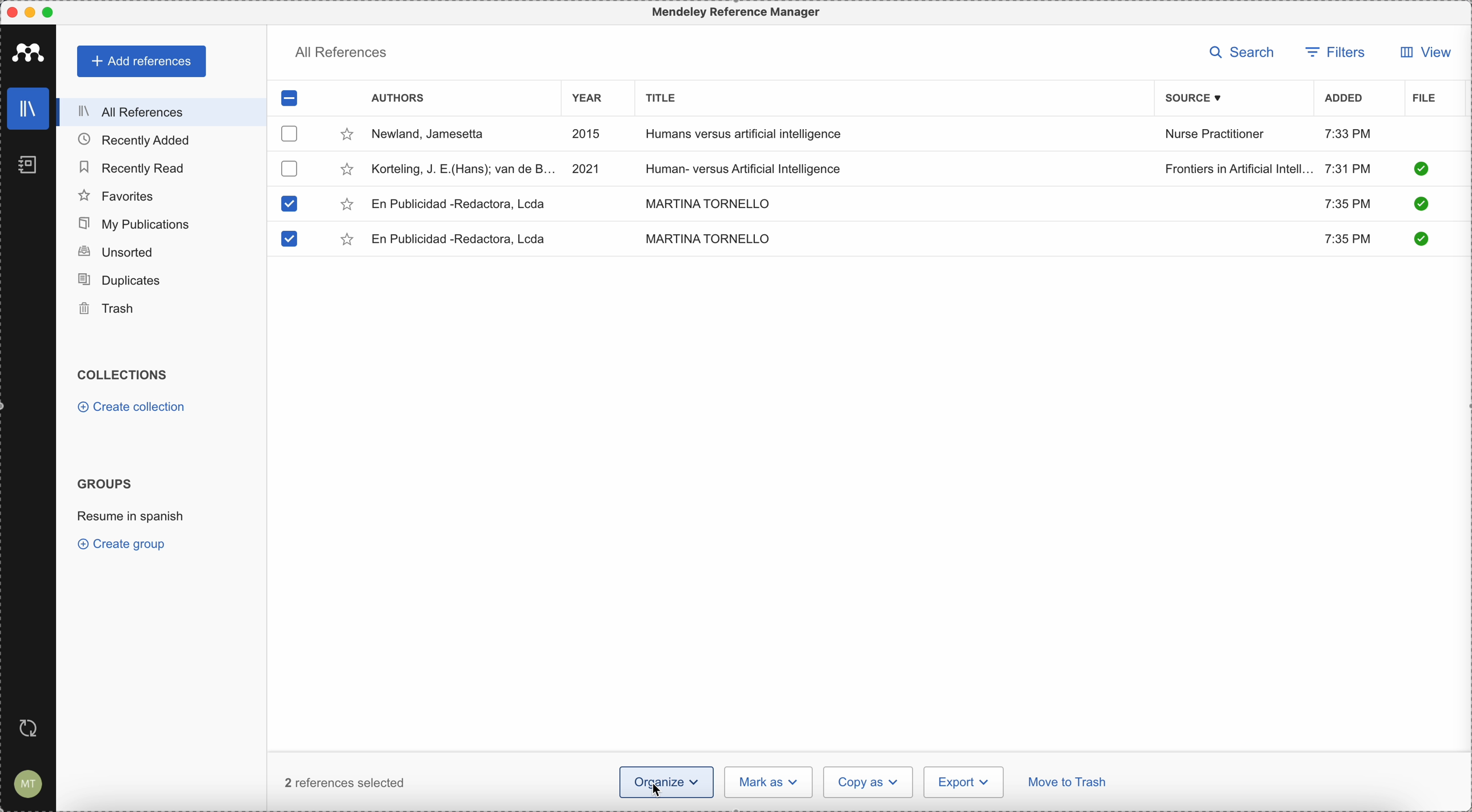 Image resolution: width=1472 pixels, height=812 pixels. I want to click on checkbox, so click(291, 133).